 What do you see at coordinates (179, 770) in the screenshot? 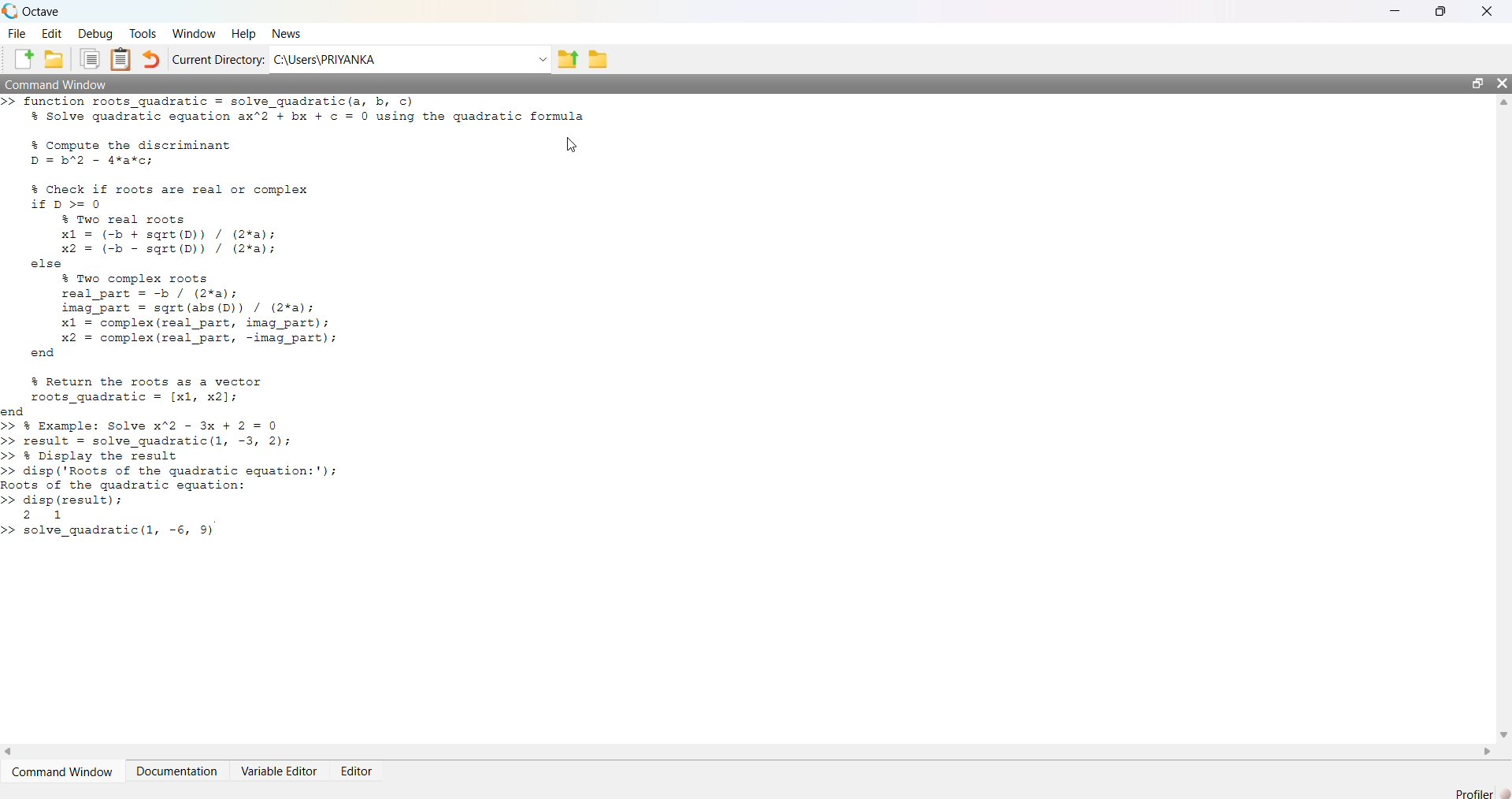
I see `Documentation` at bounding box center [179, 770].